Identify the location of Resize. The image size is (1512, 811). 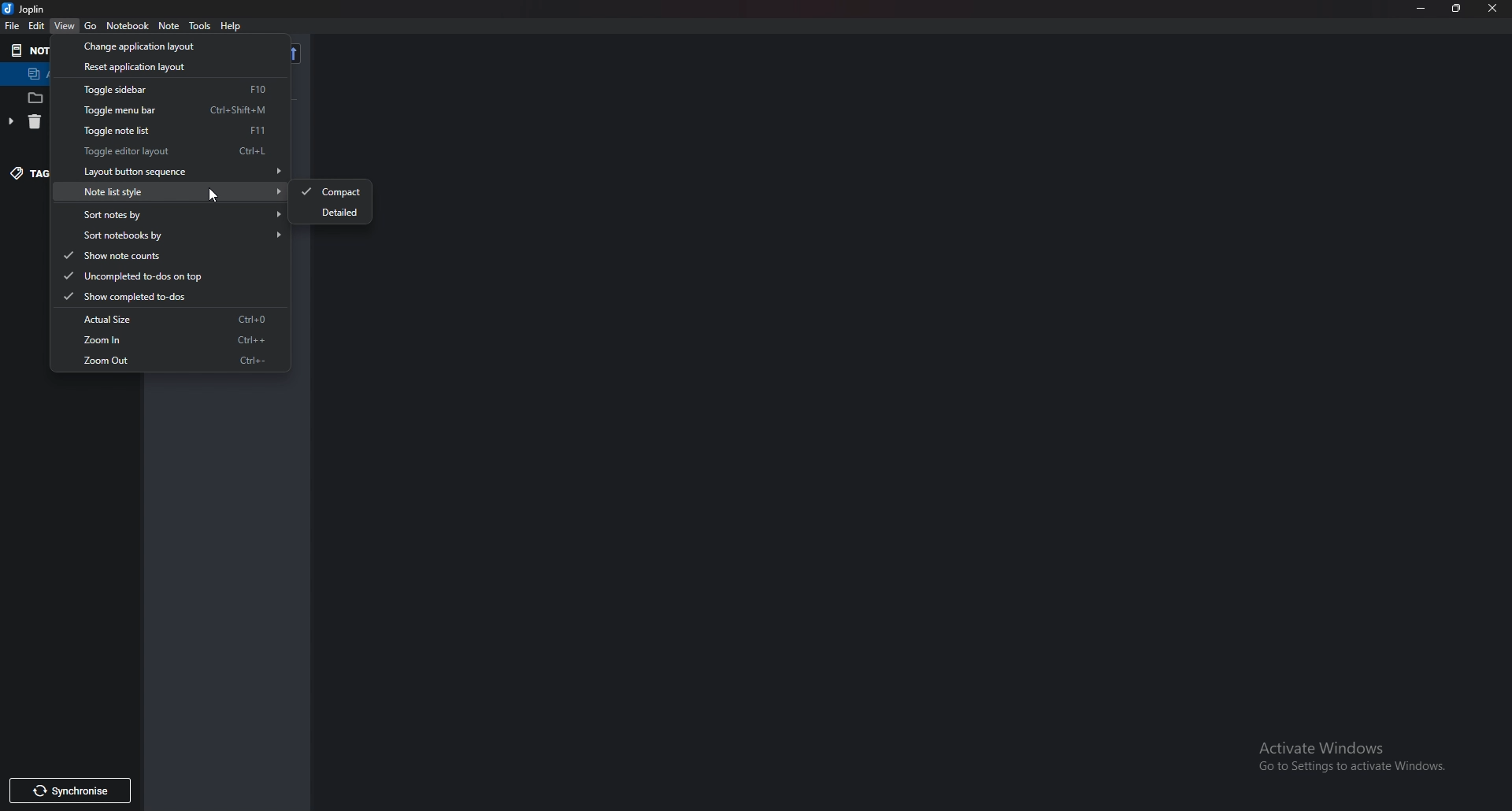
(1457, 9).